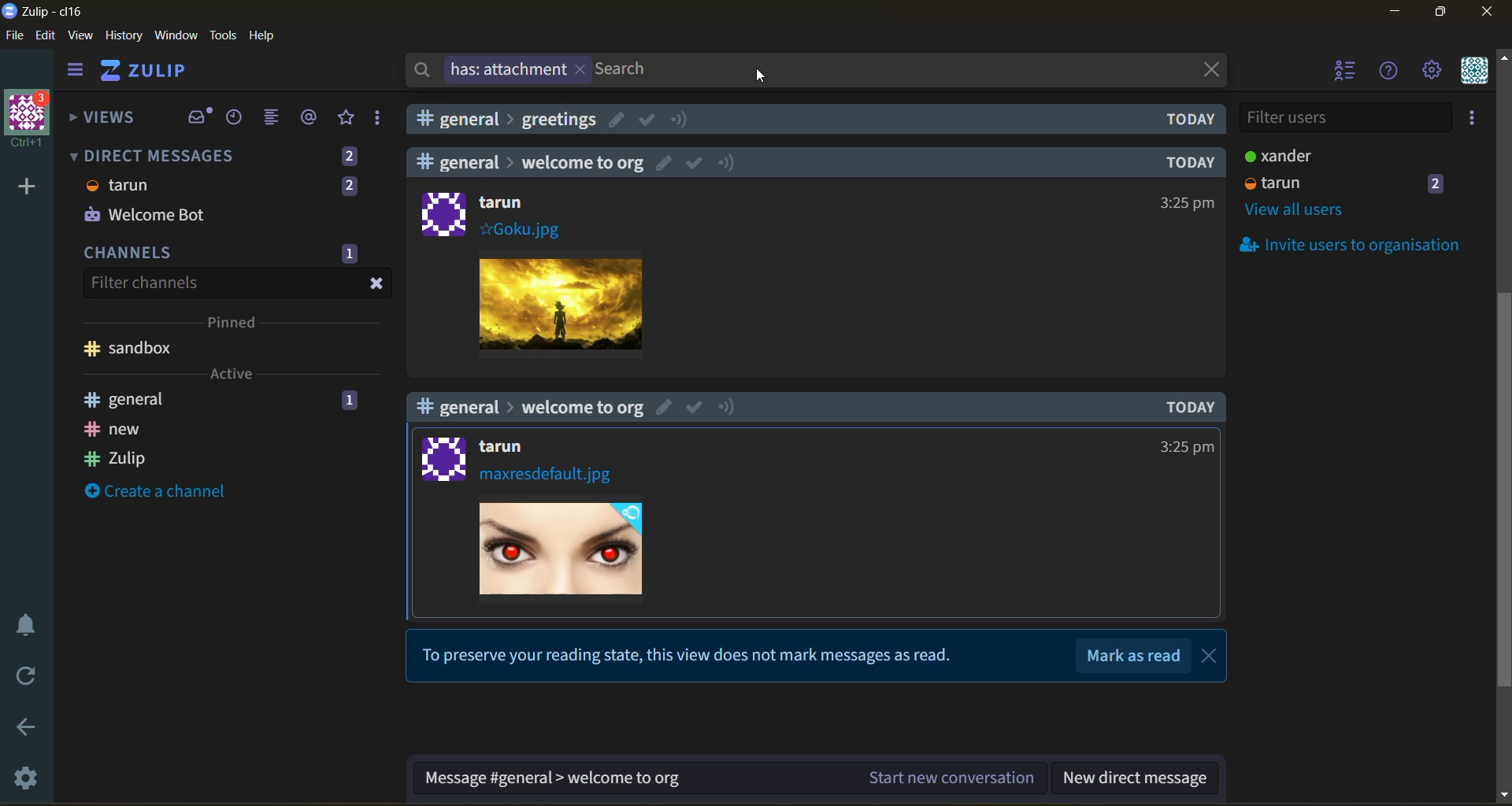  Describe the element at coordinates (1475, 71) in the screenshot. I see `personal menu` at that location.